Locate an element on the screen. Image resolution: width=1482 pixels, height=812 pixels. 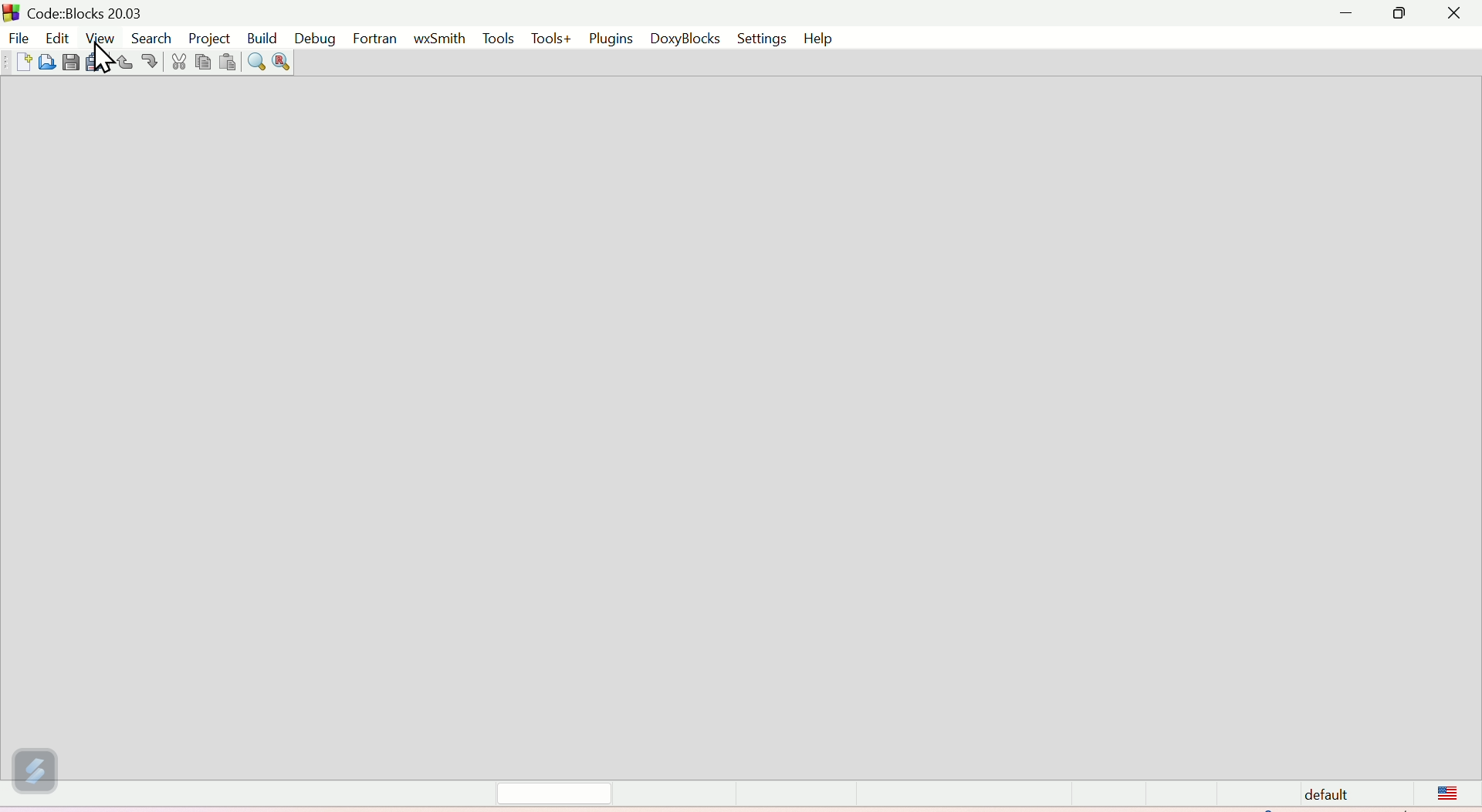
copy is located at coordinates (205, 66).